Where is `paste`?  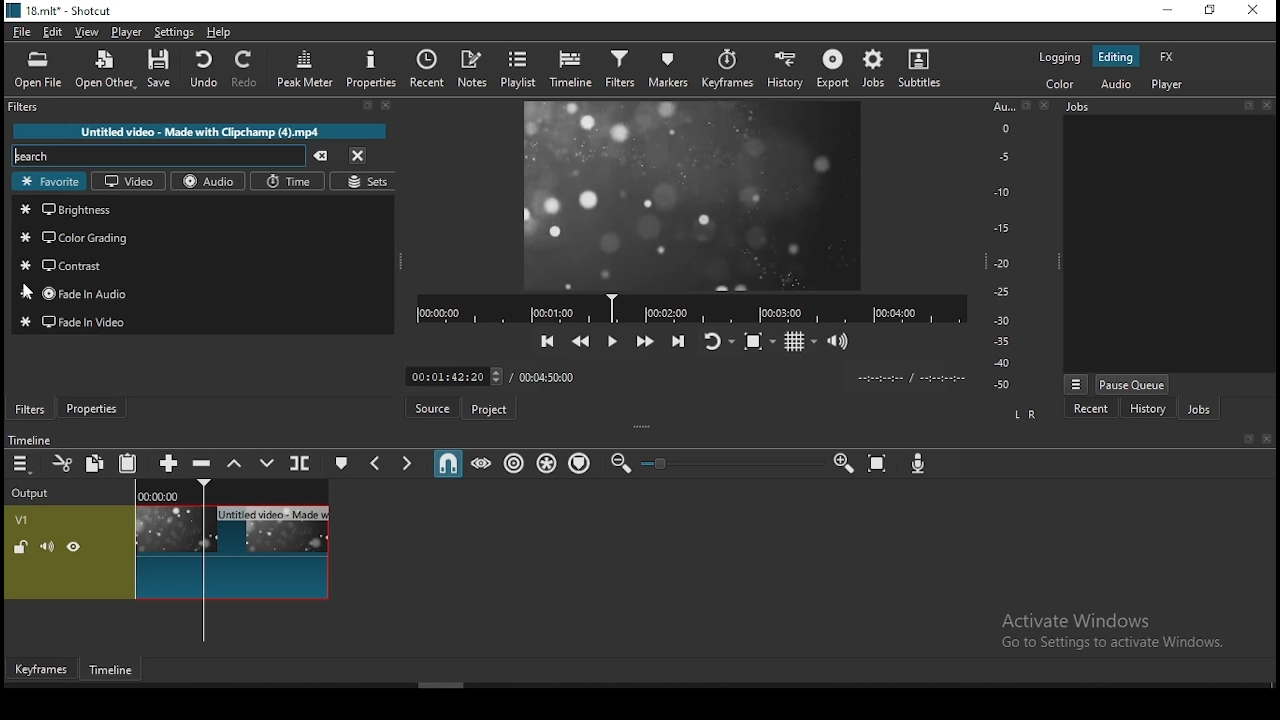
paste is located at coordinates (128, 462).